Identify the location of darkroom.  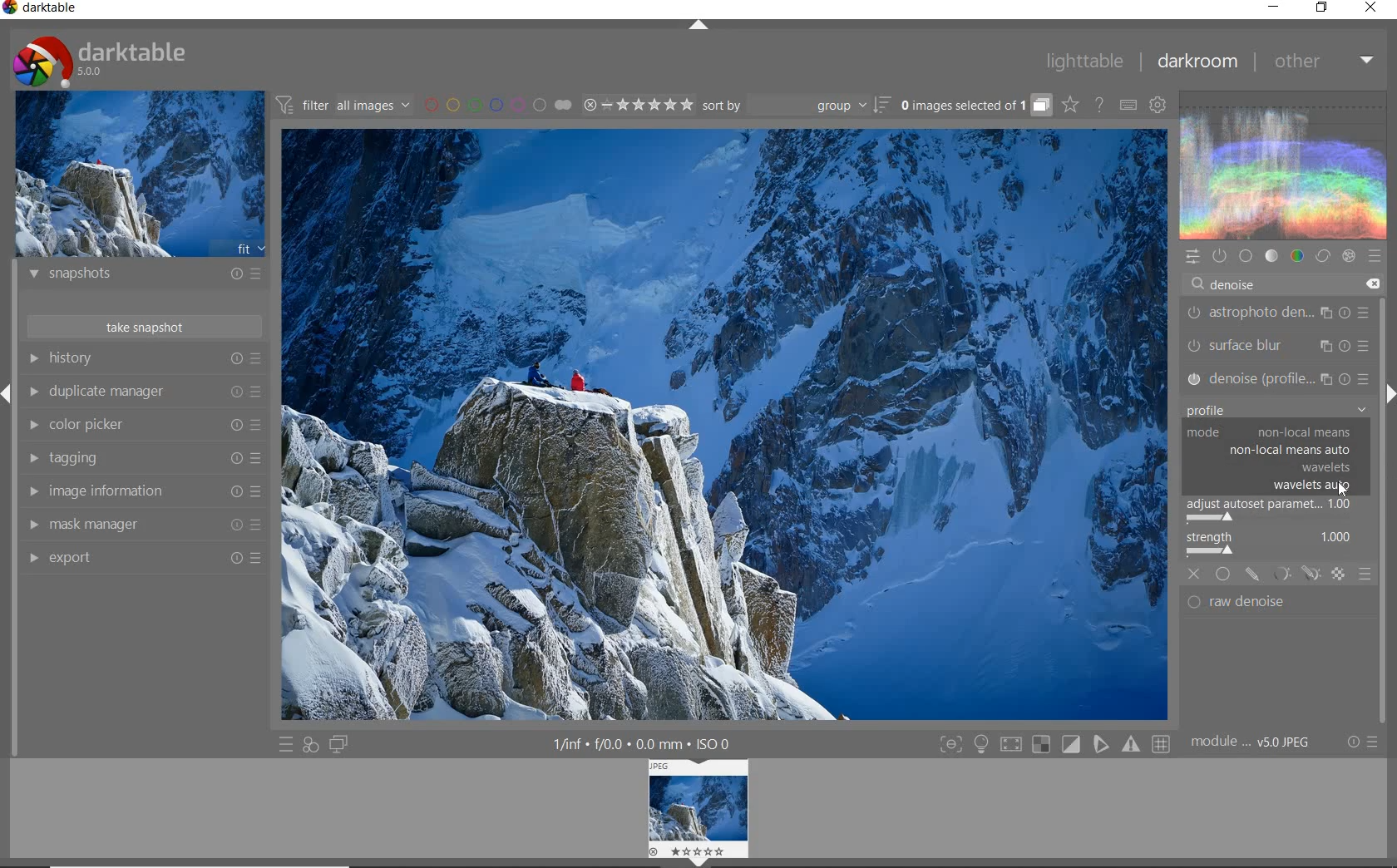
(1197, 62).